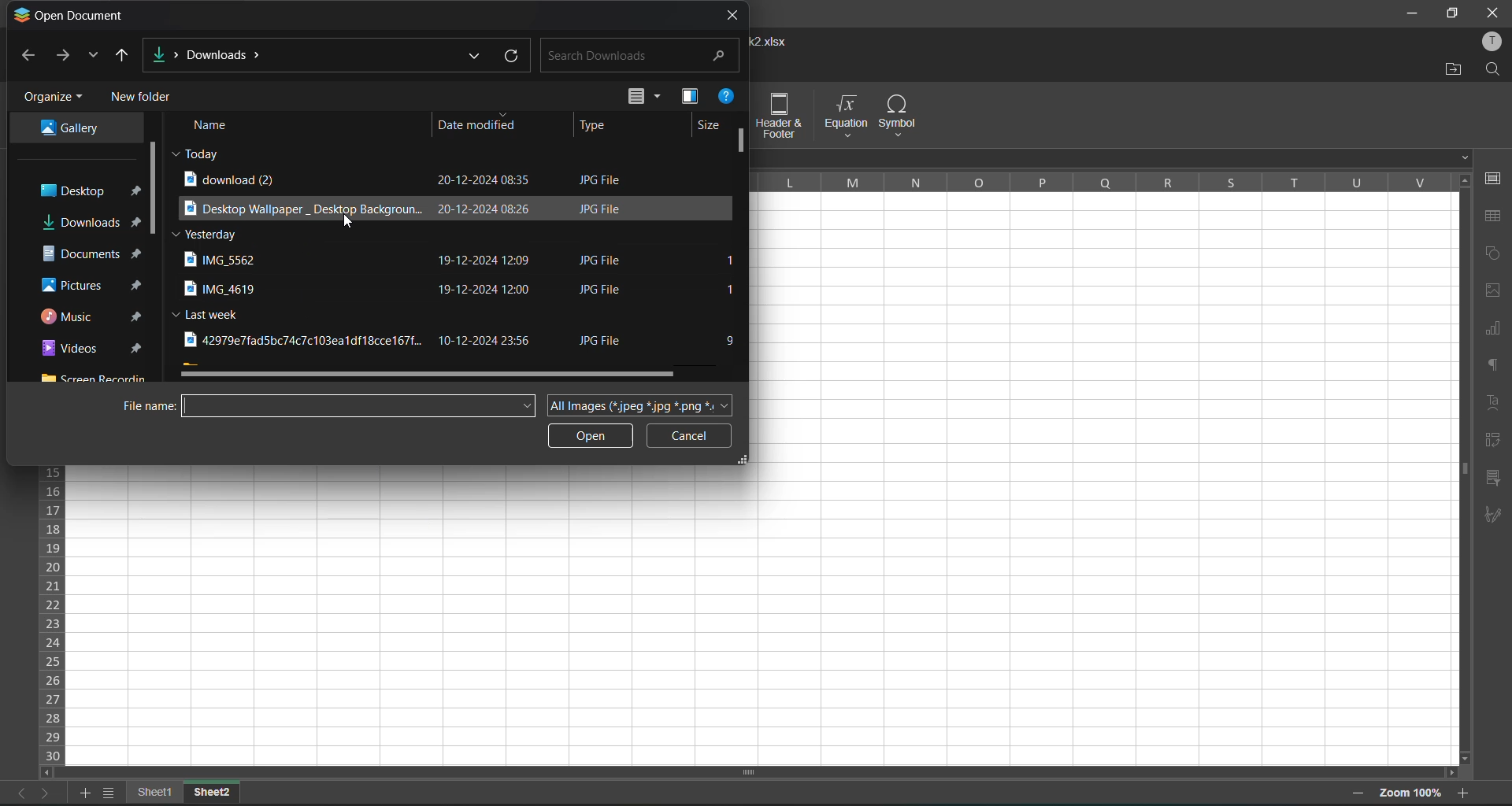 The height and width of the screenshot is (806, 1512). Describe the element at coordinates (474, 125) in the screenshot. I see `date modified` at that location.